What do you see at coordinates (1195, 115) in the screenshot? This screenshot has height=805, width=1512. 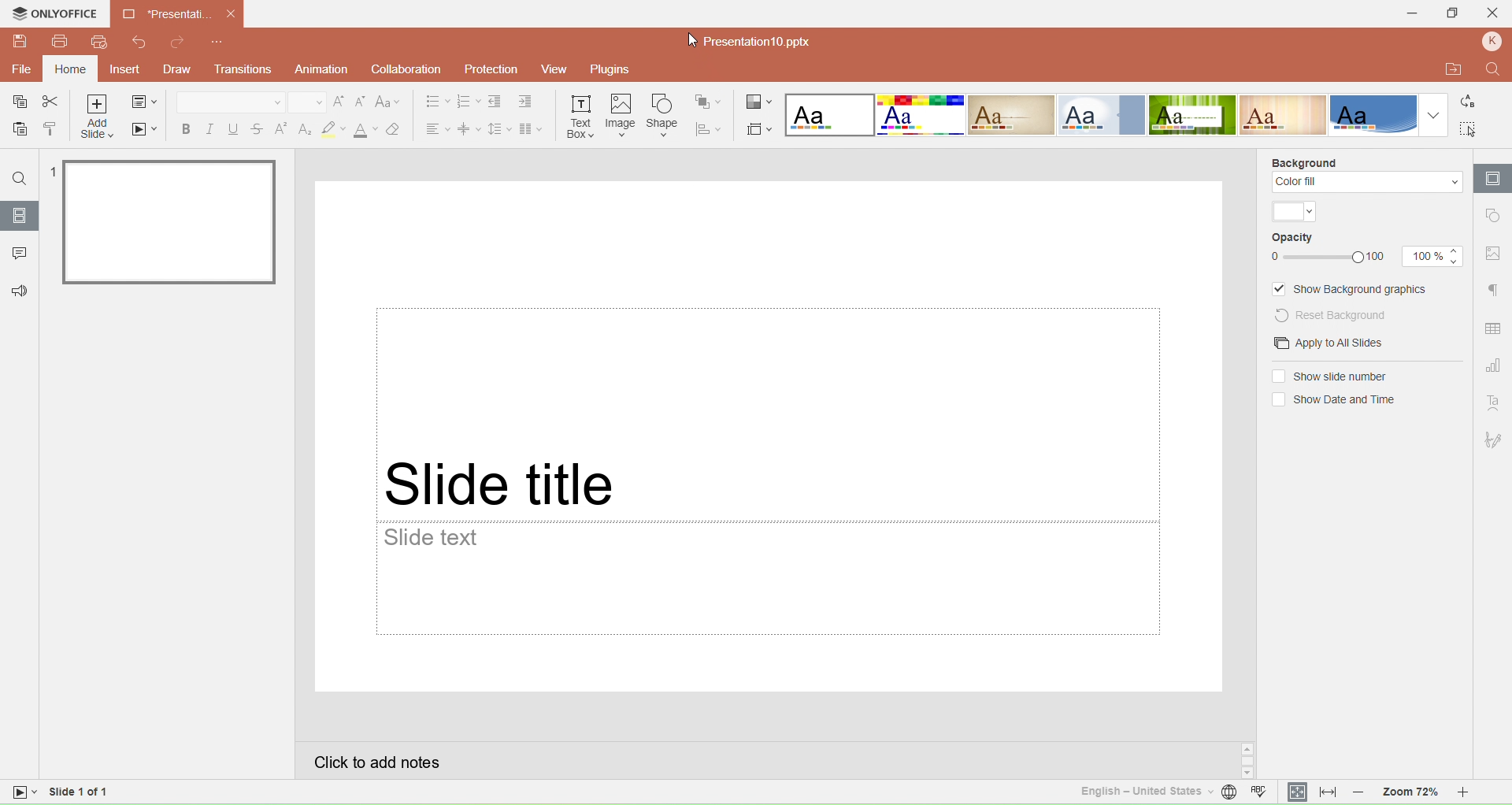 I see `Green leaf` at bounding box center [1195, 115].